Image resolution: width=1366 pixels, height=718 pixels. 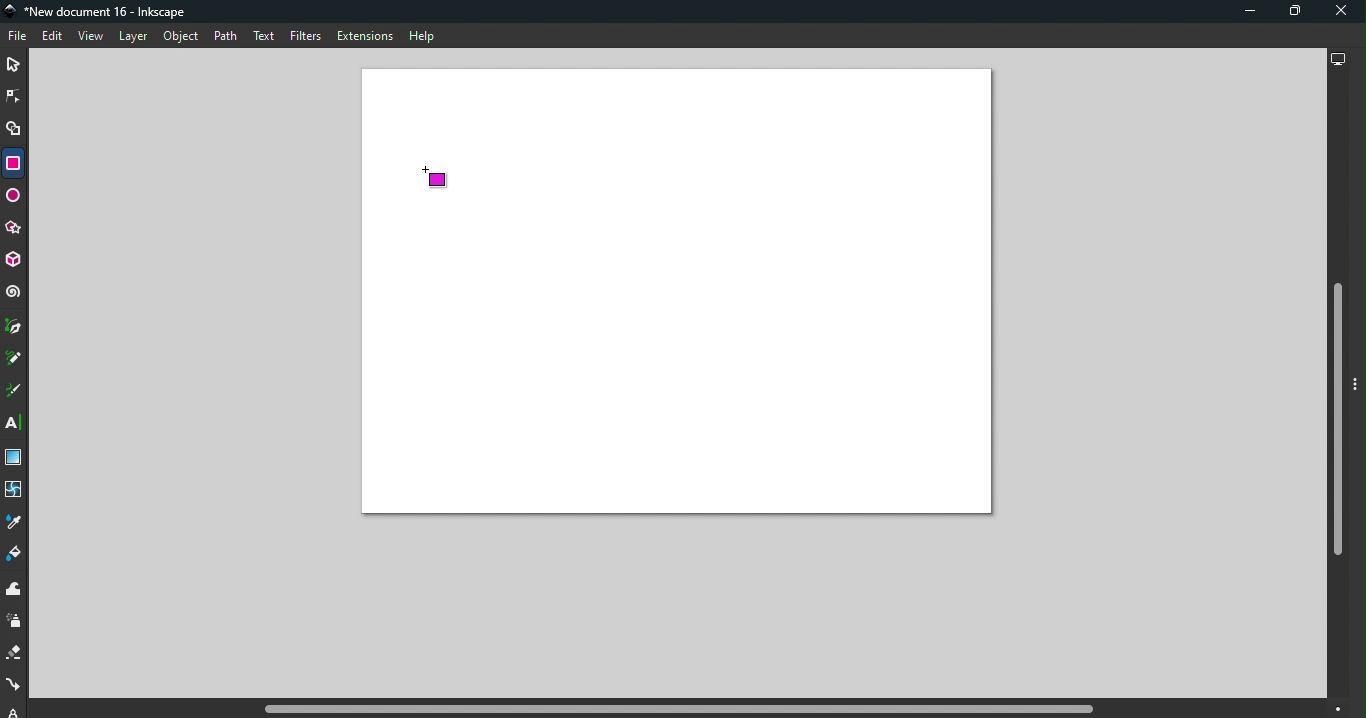 What do you see at coordinates (439, 179) in the screenshot?
I see `Cursor` at bounding box center [439, 179].